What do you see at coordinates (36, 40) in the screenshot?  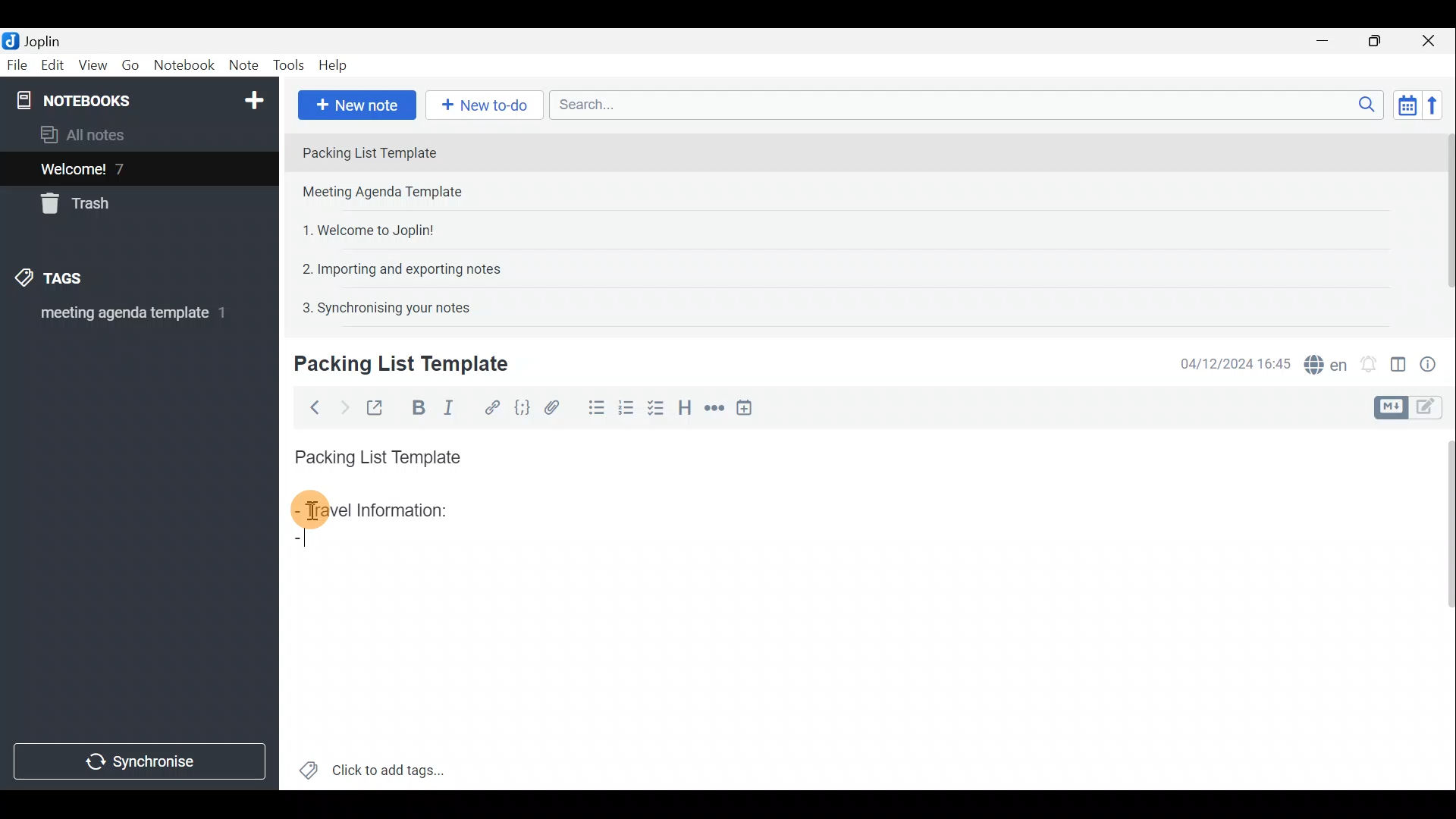 I see `Joplin` at bounding box center [36, 40].